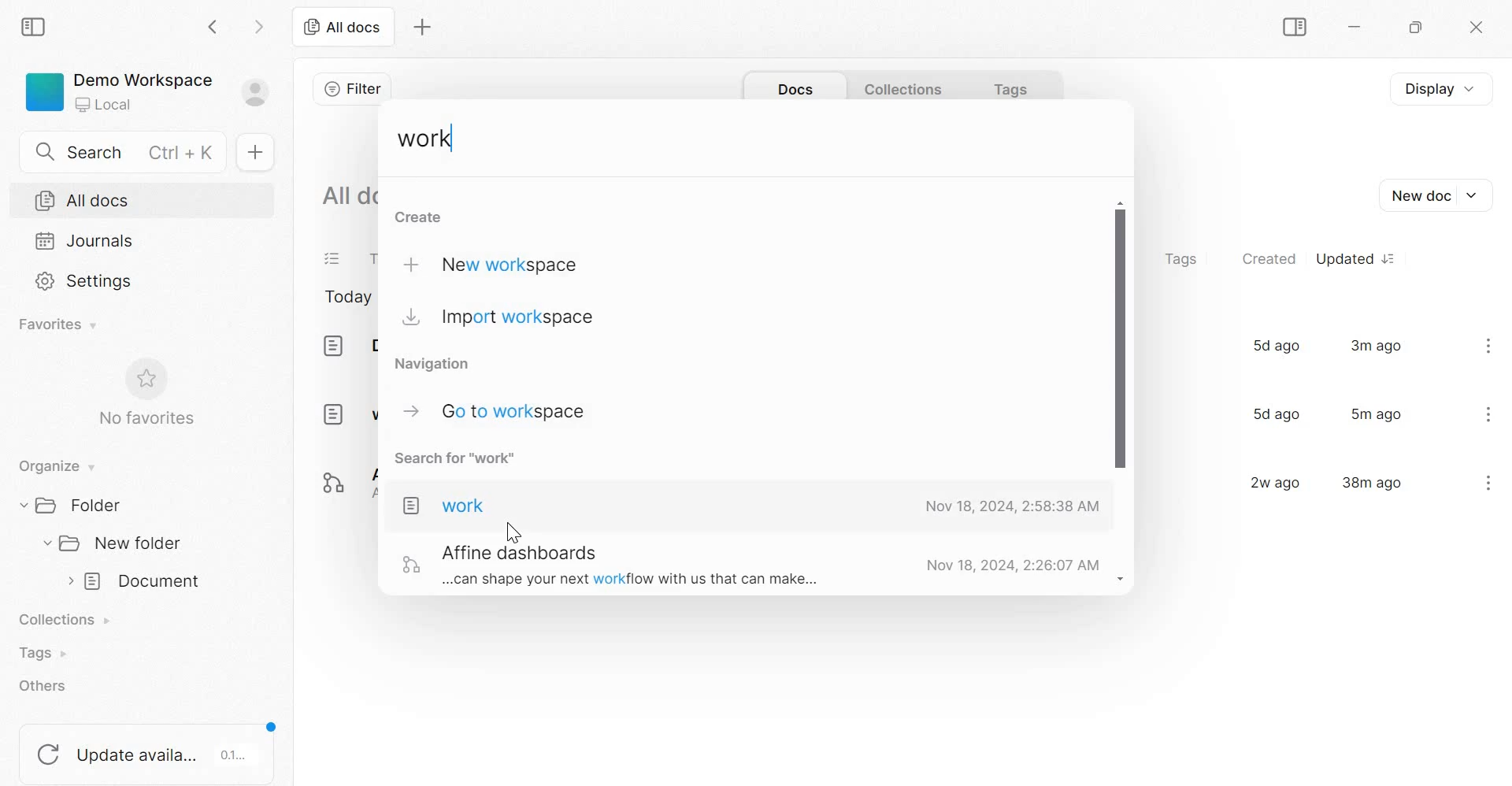 The width and height of the screenshot is (1512, 786). Describe the element at coordinates (1273, 414) in the screenshot. I see `5d ago` at that location.